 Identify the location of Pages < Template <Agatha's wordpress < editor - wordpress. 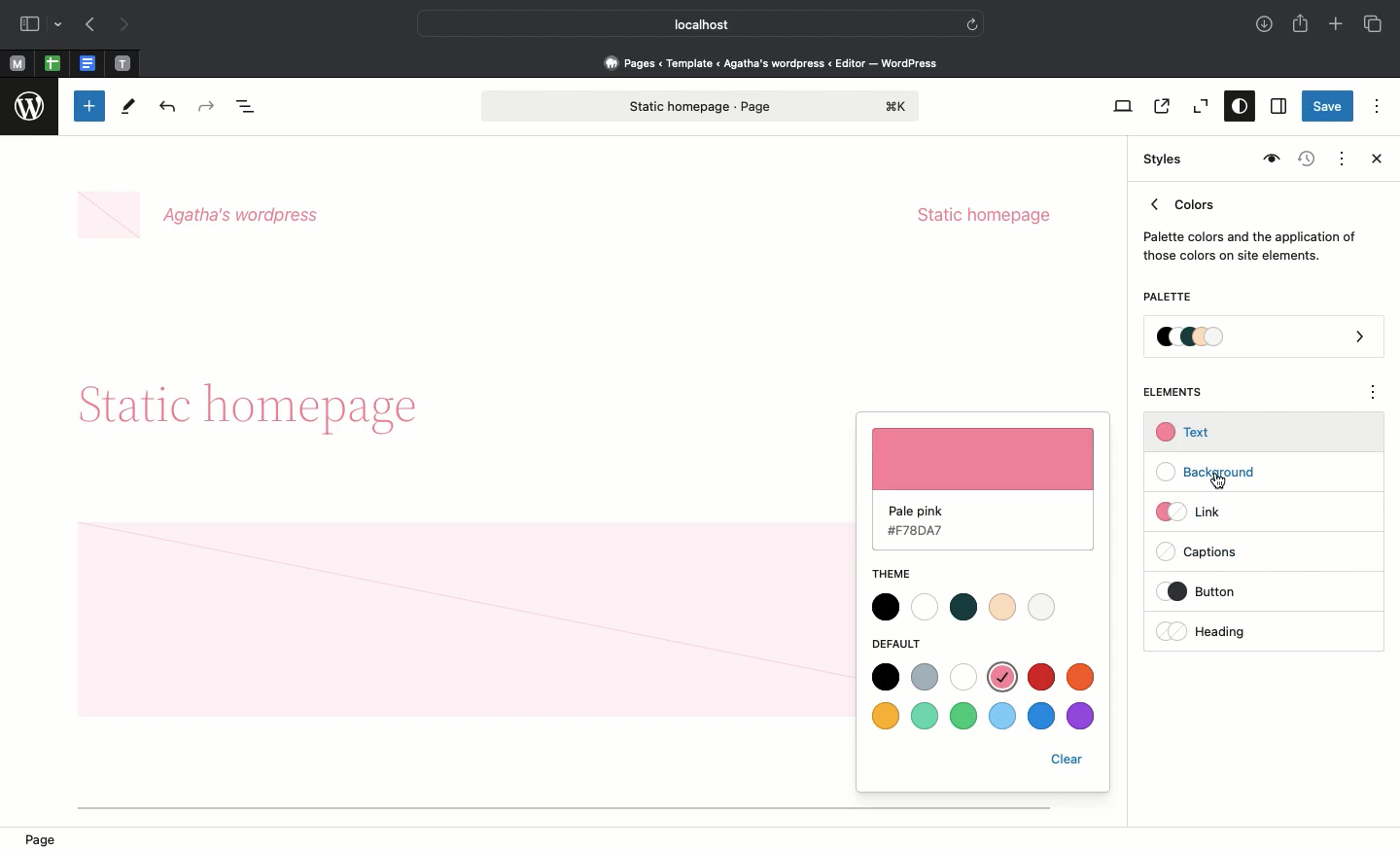
(778, 62).